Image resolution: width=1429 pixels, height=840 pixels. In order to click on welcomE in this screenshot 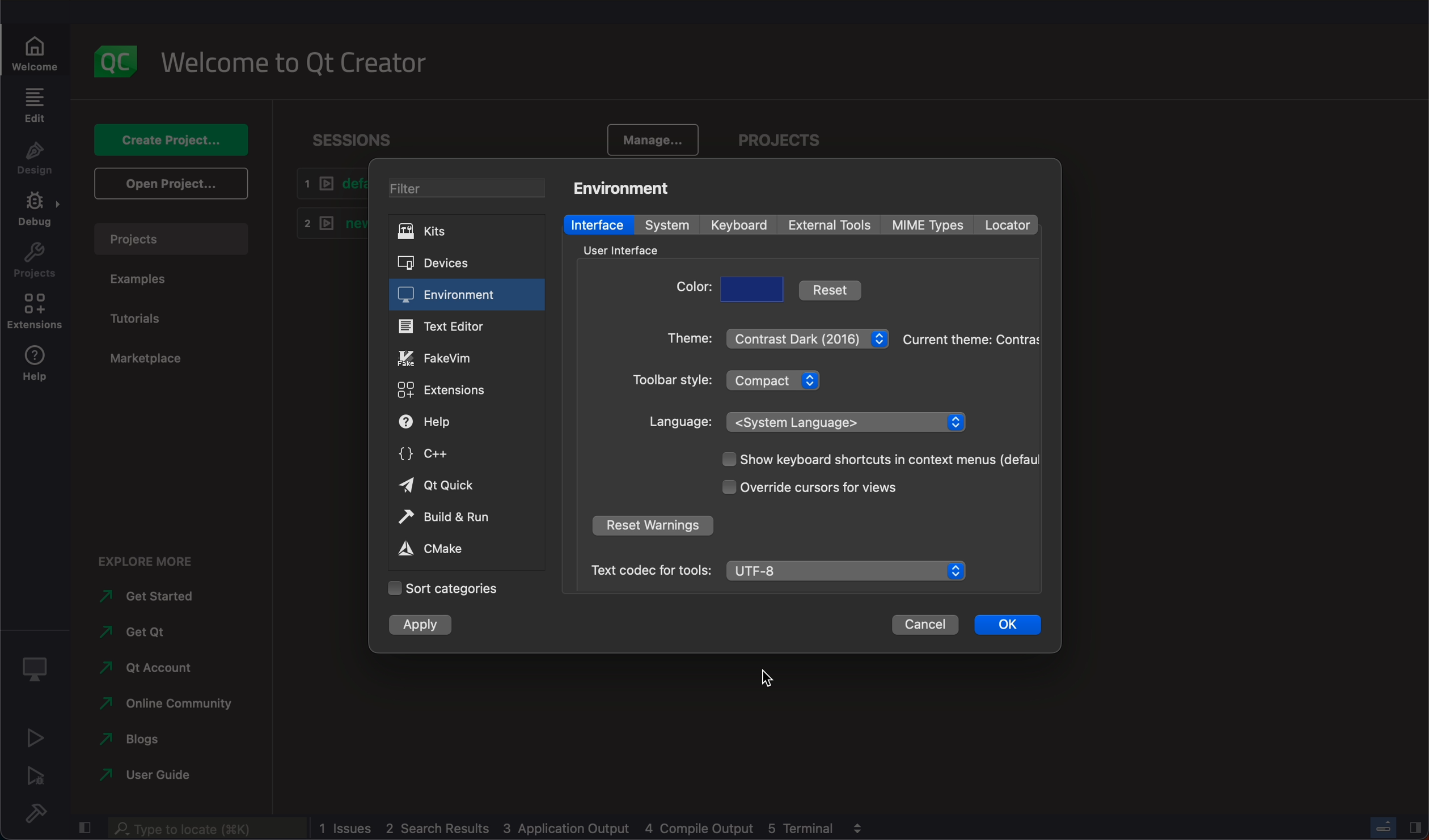, I will do `click(302, 58)`.